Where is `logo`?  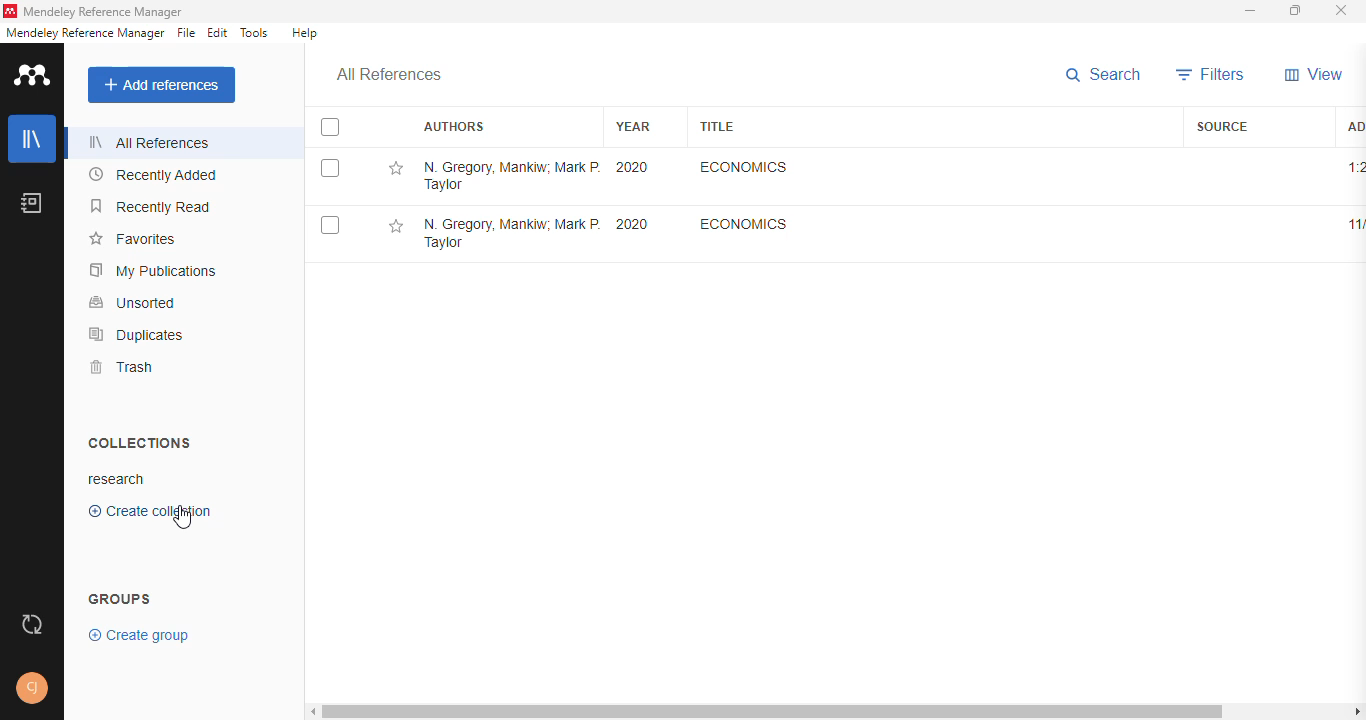
logo is located at coordinates (34, 74).